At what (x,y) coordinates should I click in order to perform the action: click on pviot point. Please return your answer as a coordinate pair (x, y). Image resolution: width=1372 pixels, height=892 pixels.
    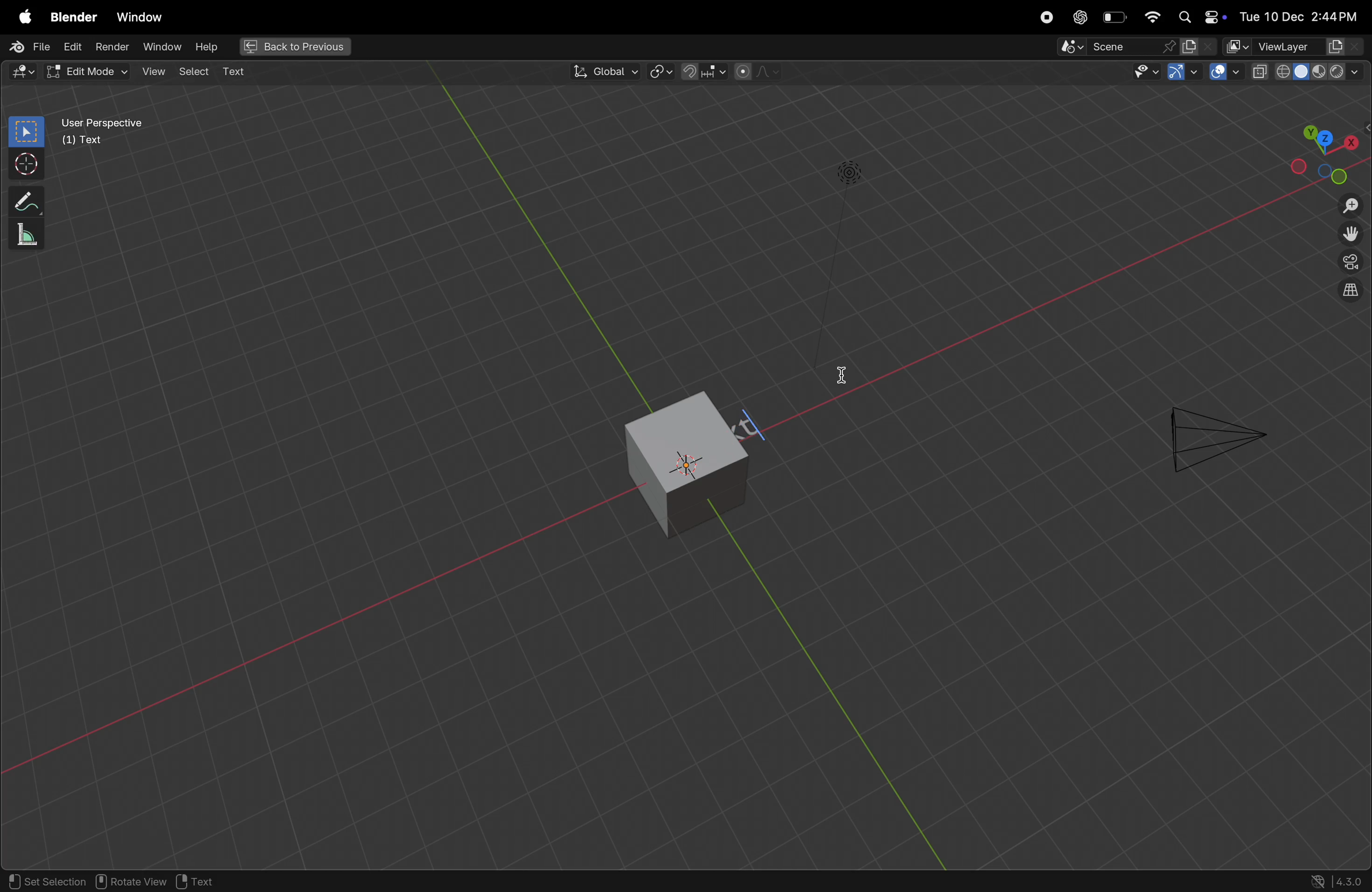
    Looking at the image, I should click on (658, 73).